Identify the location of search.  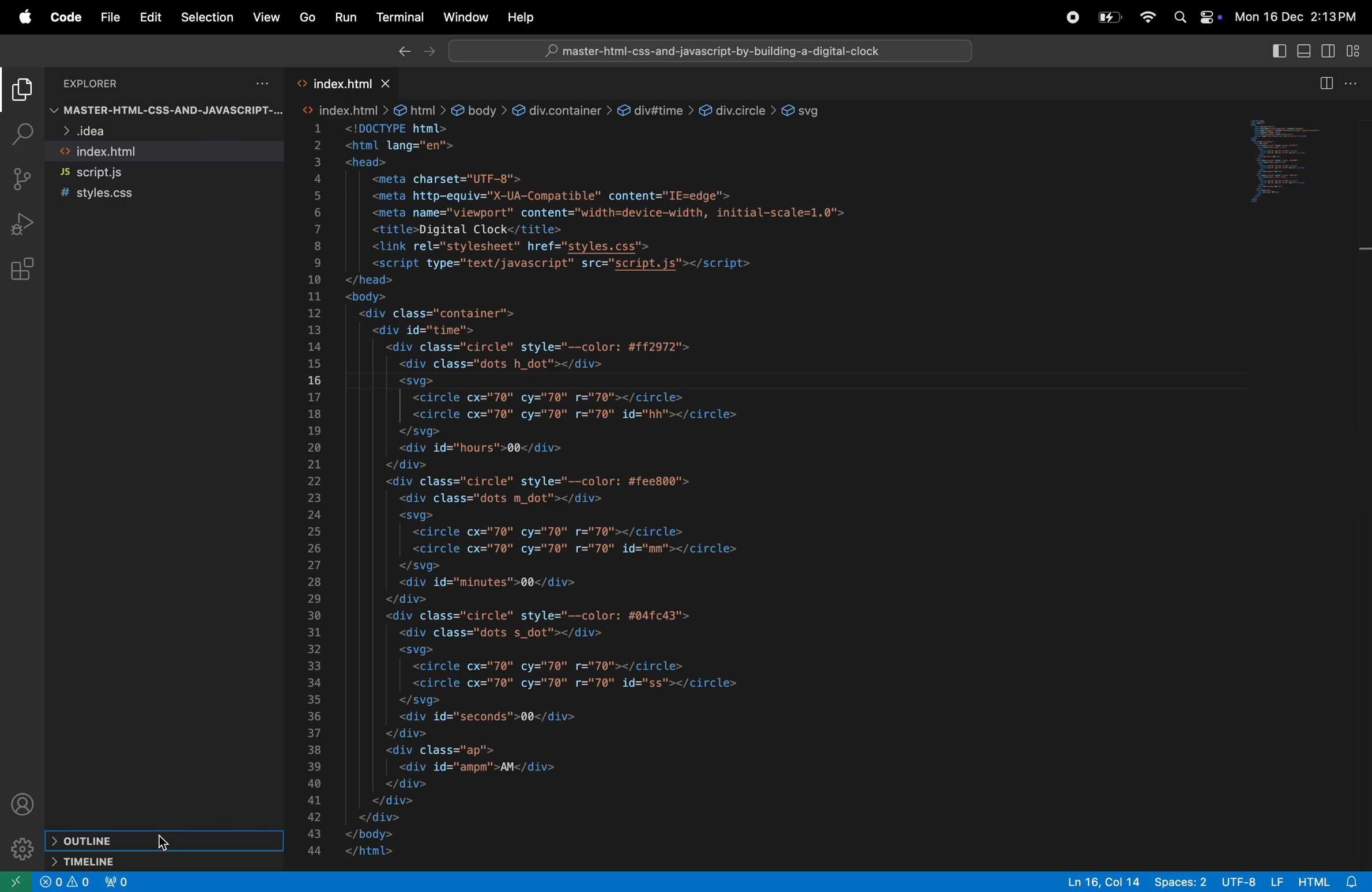
(1180, 18).